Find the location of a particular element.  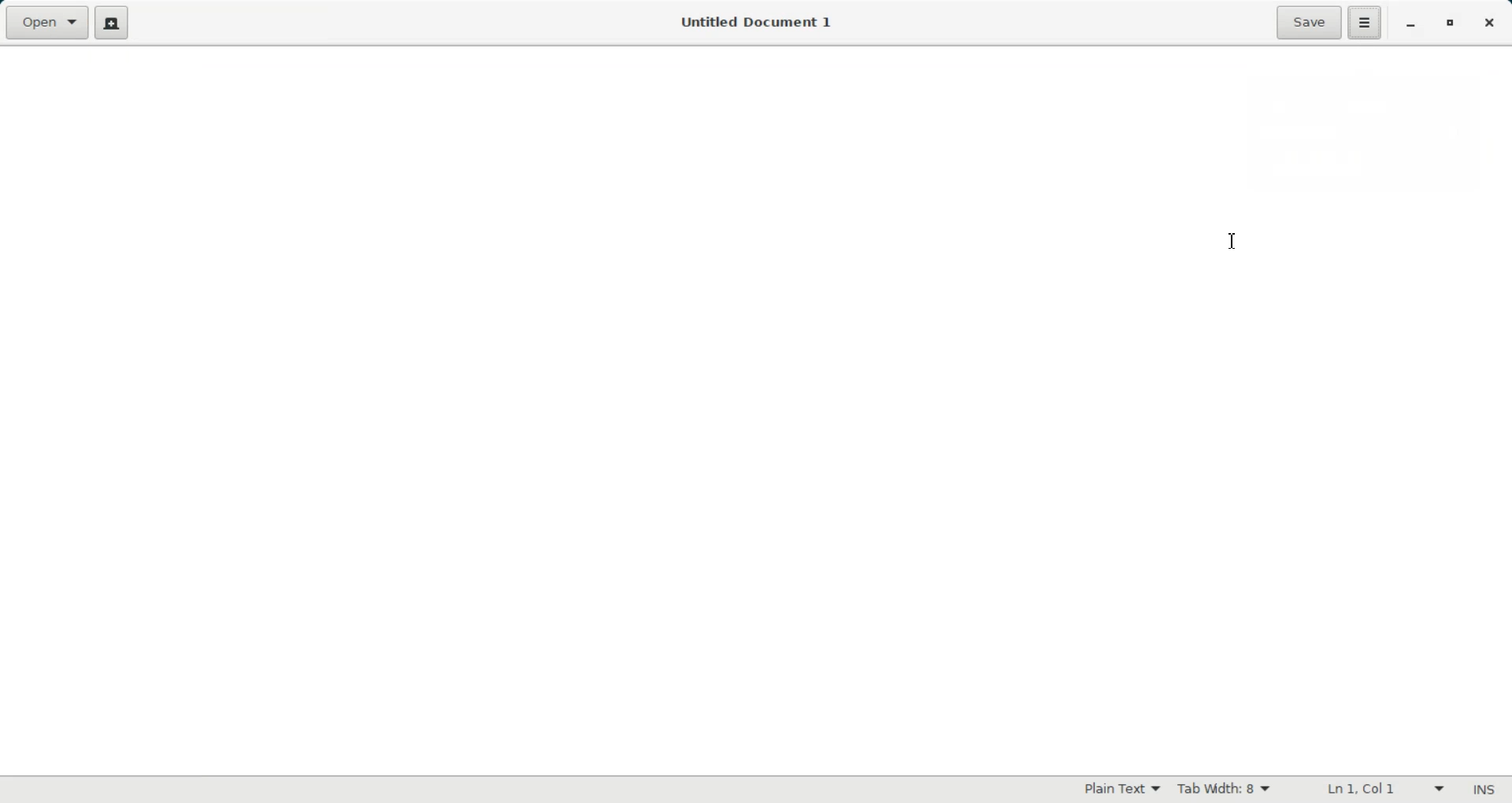

Cursor is located at coordinates (1358, 32).